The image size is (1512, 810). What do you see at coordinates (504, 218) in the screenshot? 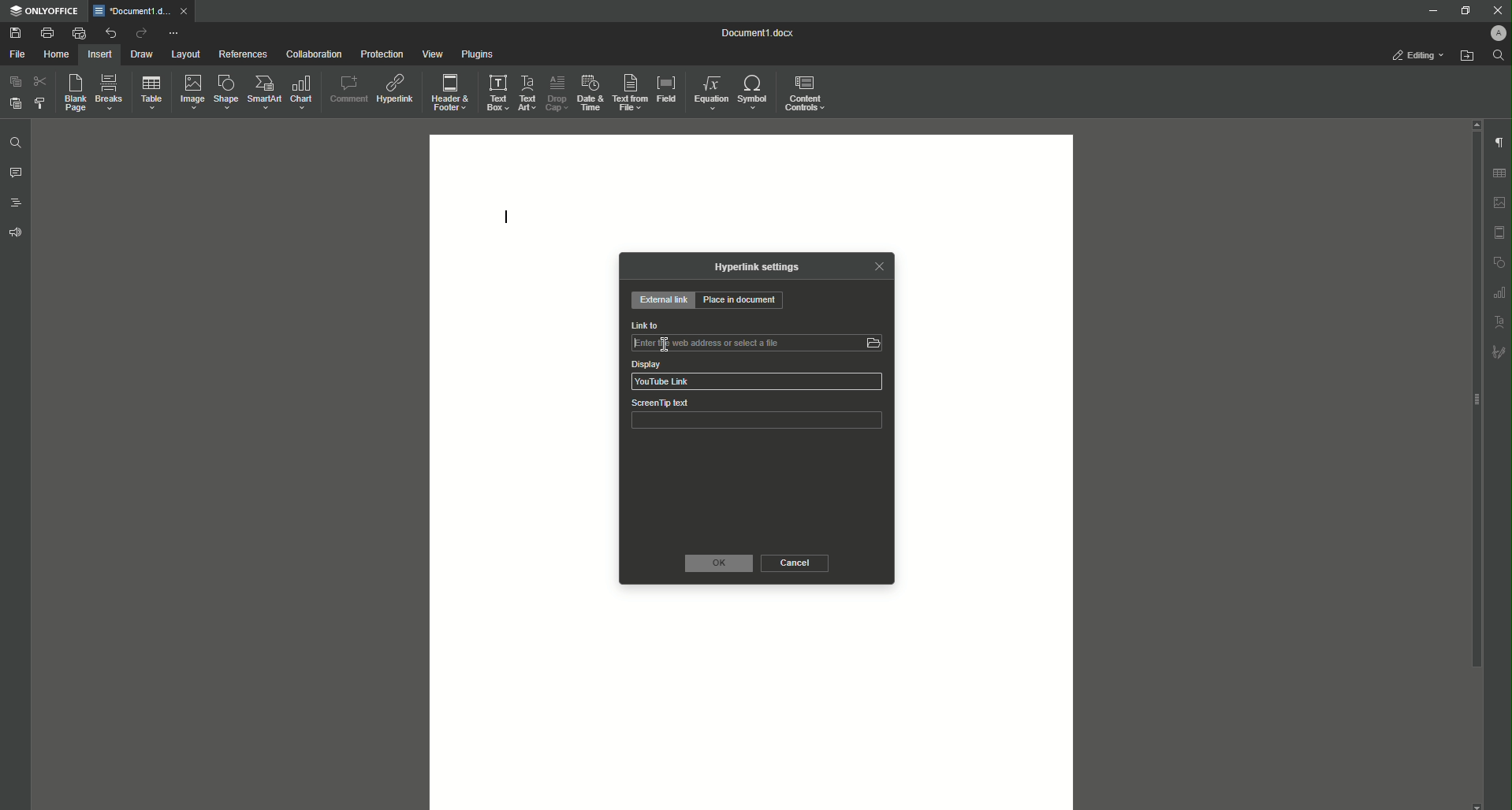
I see `Text Line` at bounding box center [504, 218].